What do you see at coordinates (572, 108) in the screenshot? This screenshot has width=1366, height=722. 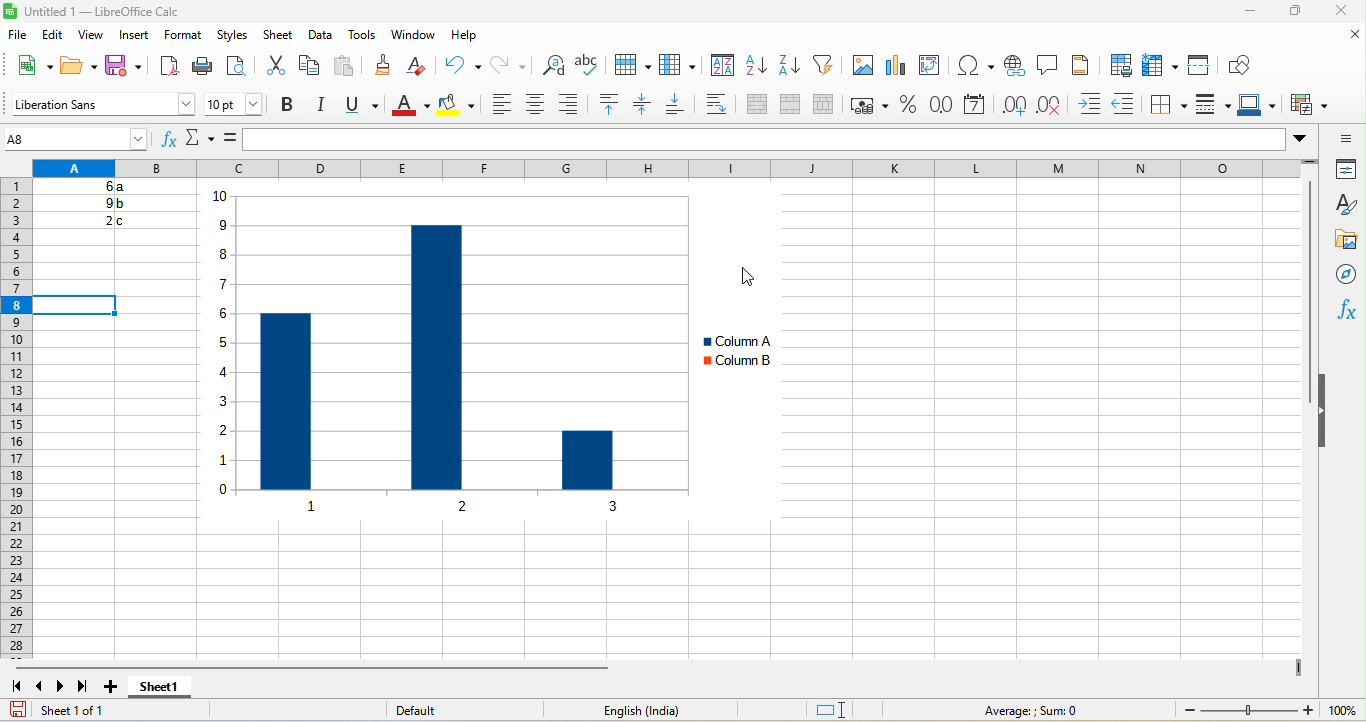 I see `align right` at bounding box center [572, 108].